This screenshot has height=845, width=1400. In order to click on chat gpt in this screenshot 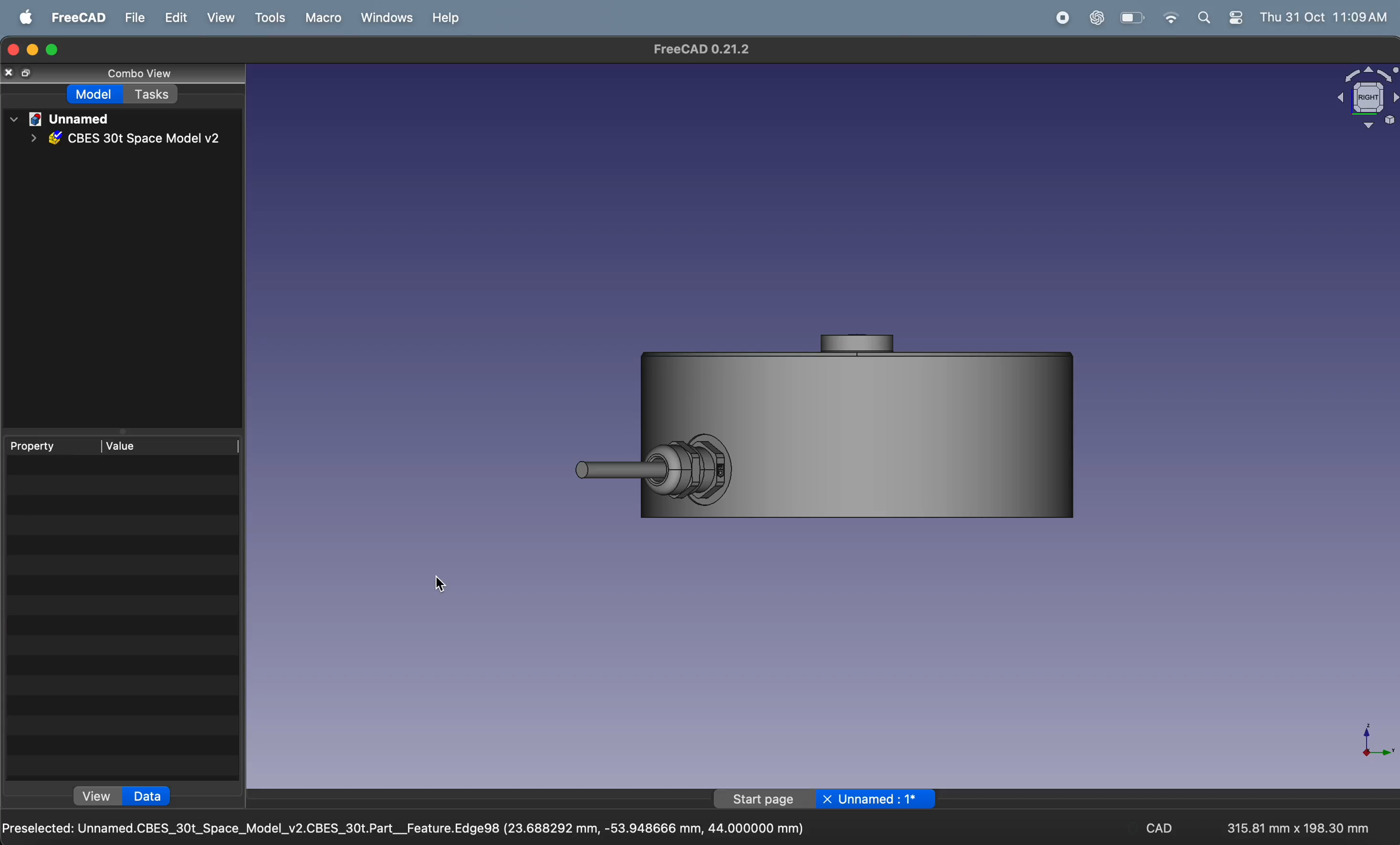, I will do `click(1096, 19)`.